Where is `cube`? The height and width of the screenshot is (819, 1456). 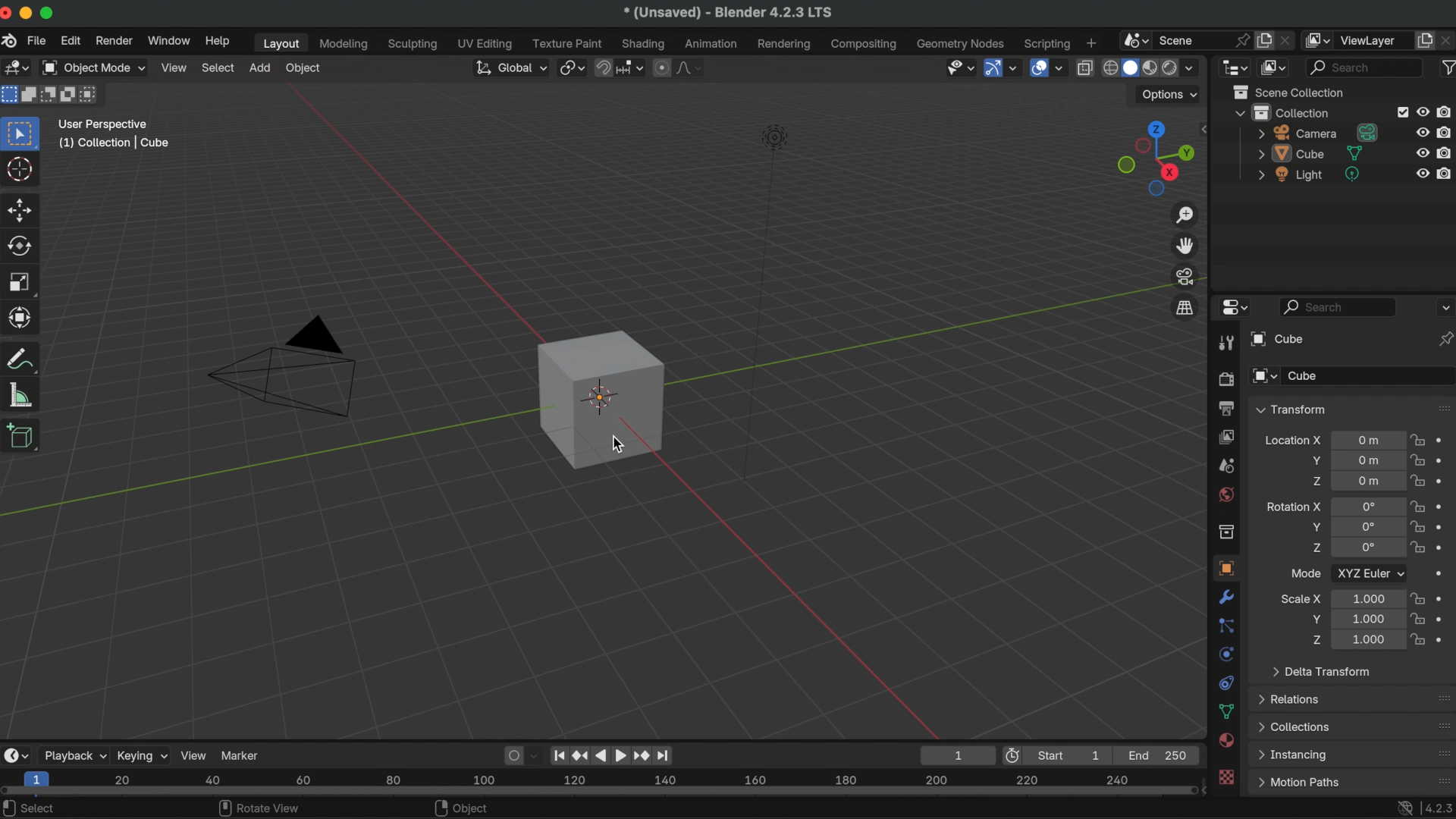 cube is located at coordinates (601, 399).